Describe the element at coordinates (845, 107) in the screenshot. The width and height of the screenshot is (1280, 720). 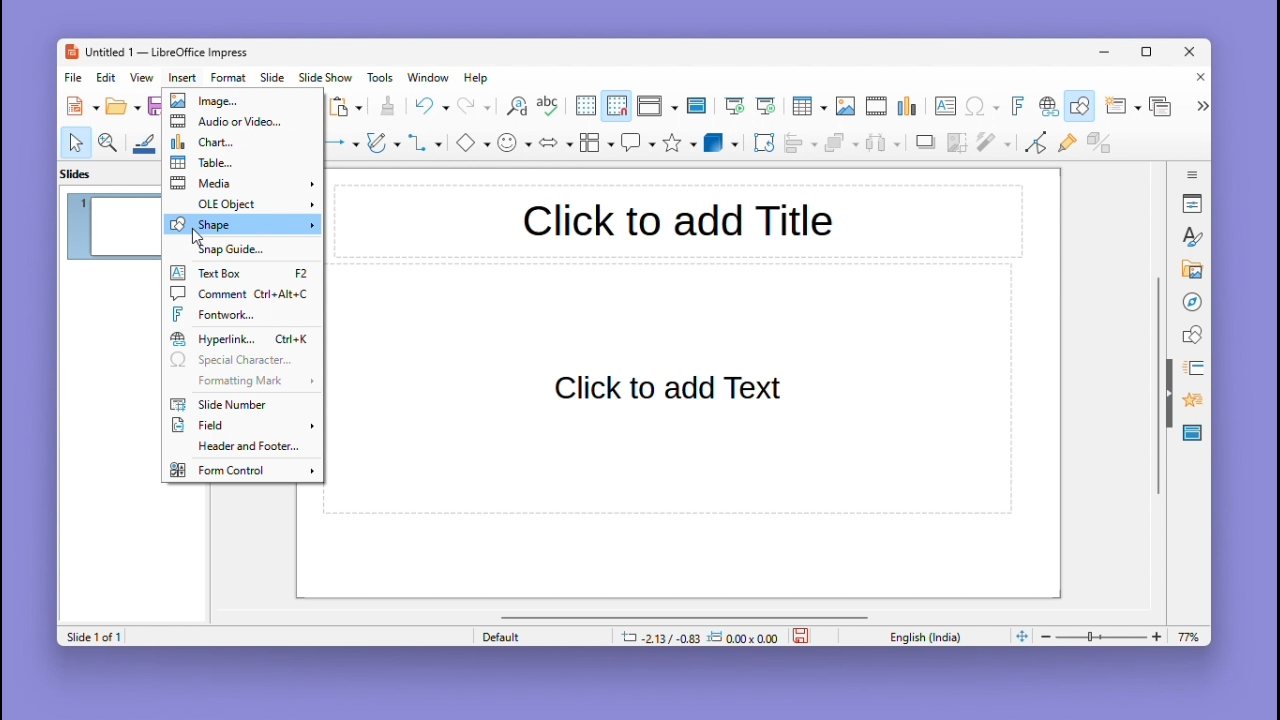
I see `Image` at that location.